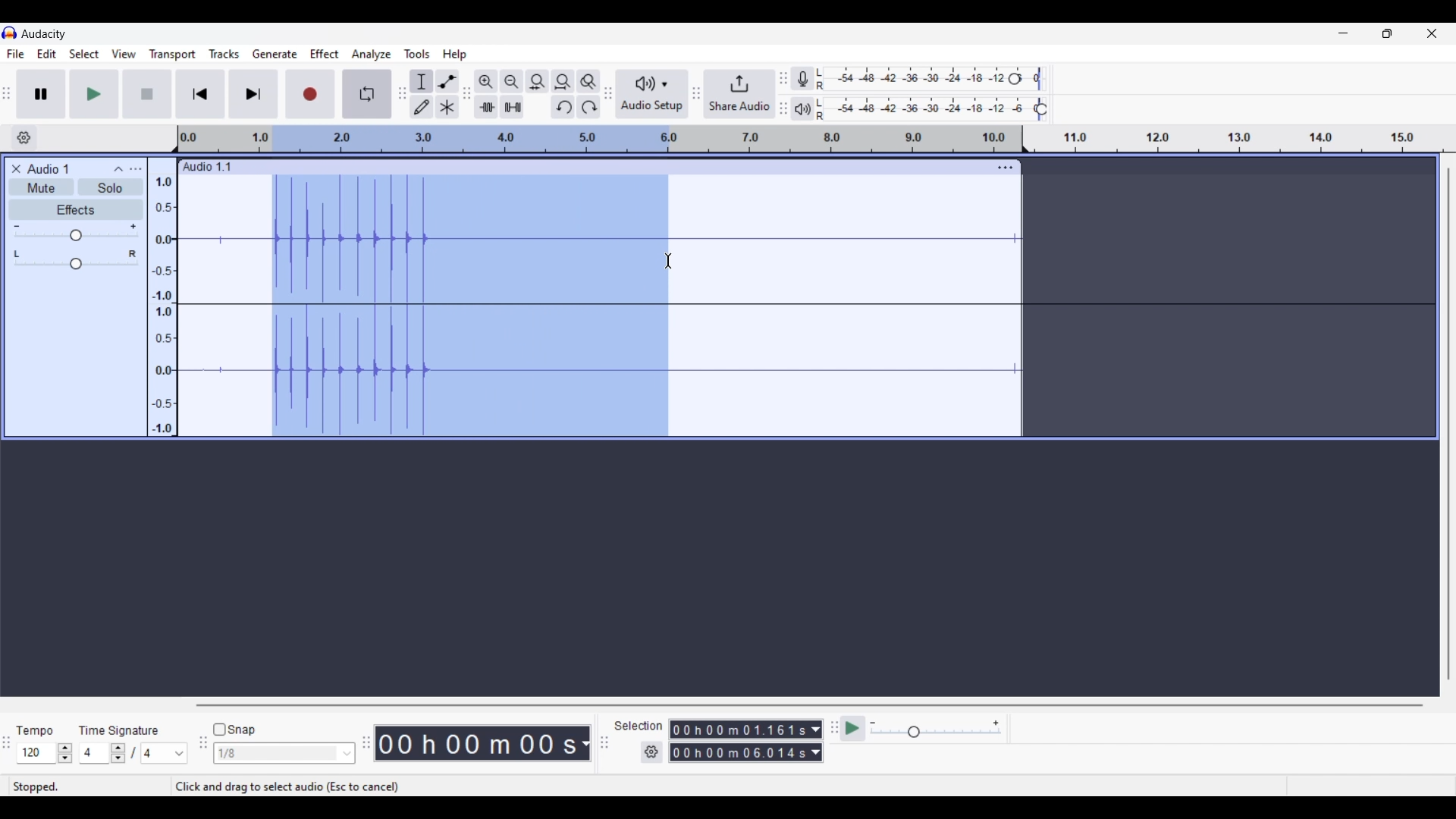  Describe the element at coordinates (815, 742) in the screenshot. I see `Measurement options of selection duration` at that location.